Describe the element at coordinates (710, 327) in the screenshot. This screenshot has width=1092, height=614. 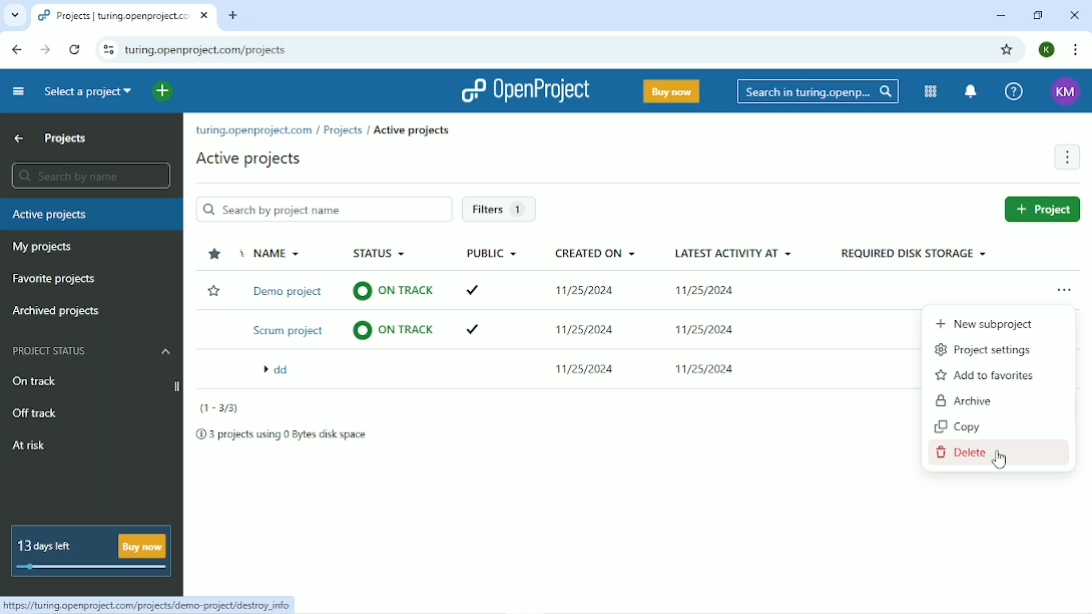
I see `11/25/2024` at that location.